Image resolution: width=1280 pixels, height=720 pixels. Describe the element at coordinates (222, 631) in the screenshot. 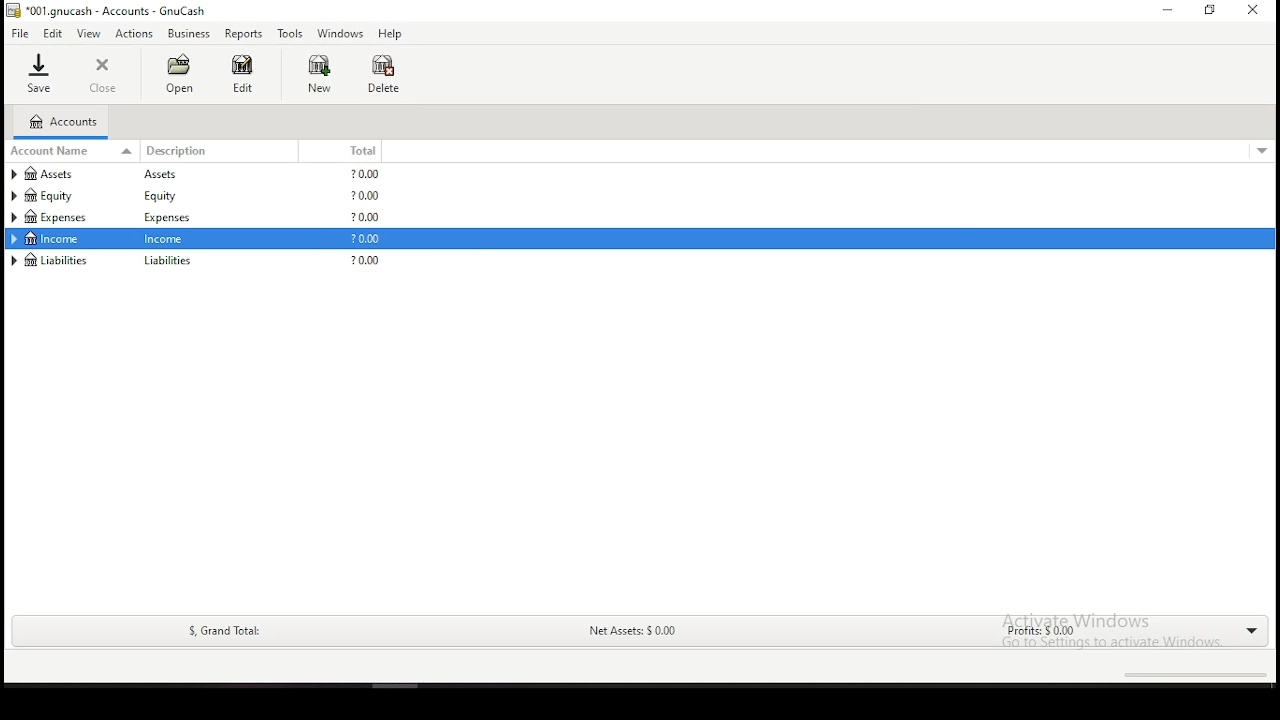

I see `S, Grand Total` at that location.